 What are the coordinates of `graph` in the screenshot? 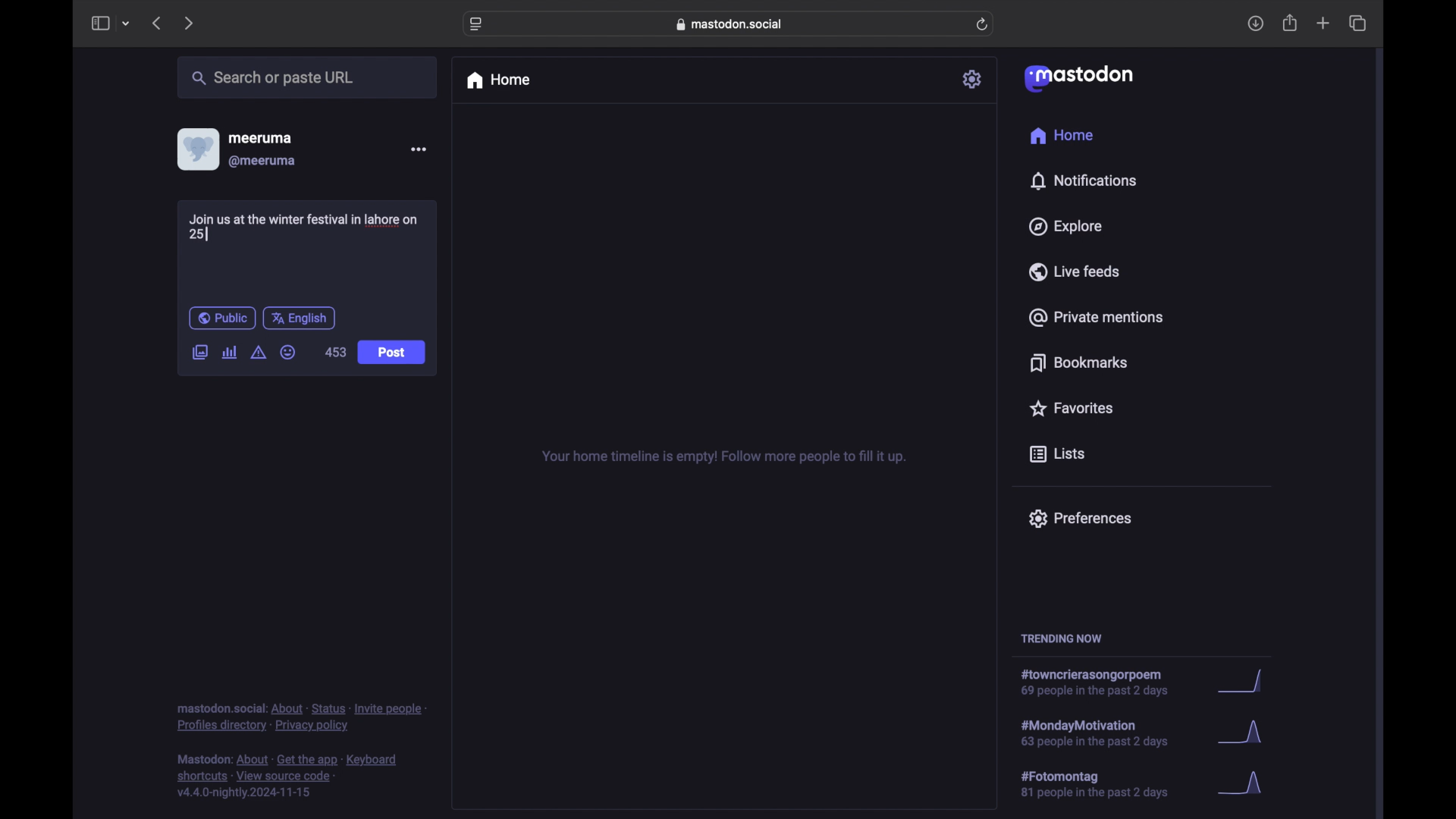 It's located at (1245, 784).